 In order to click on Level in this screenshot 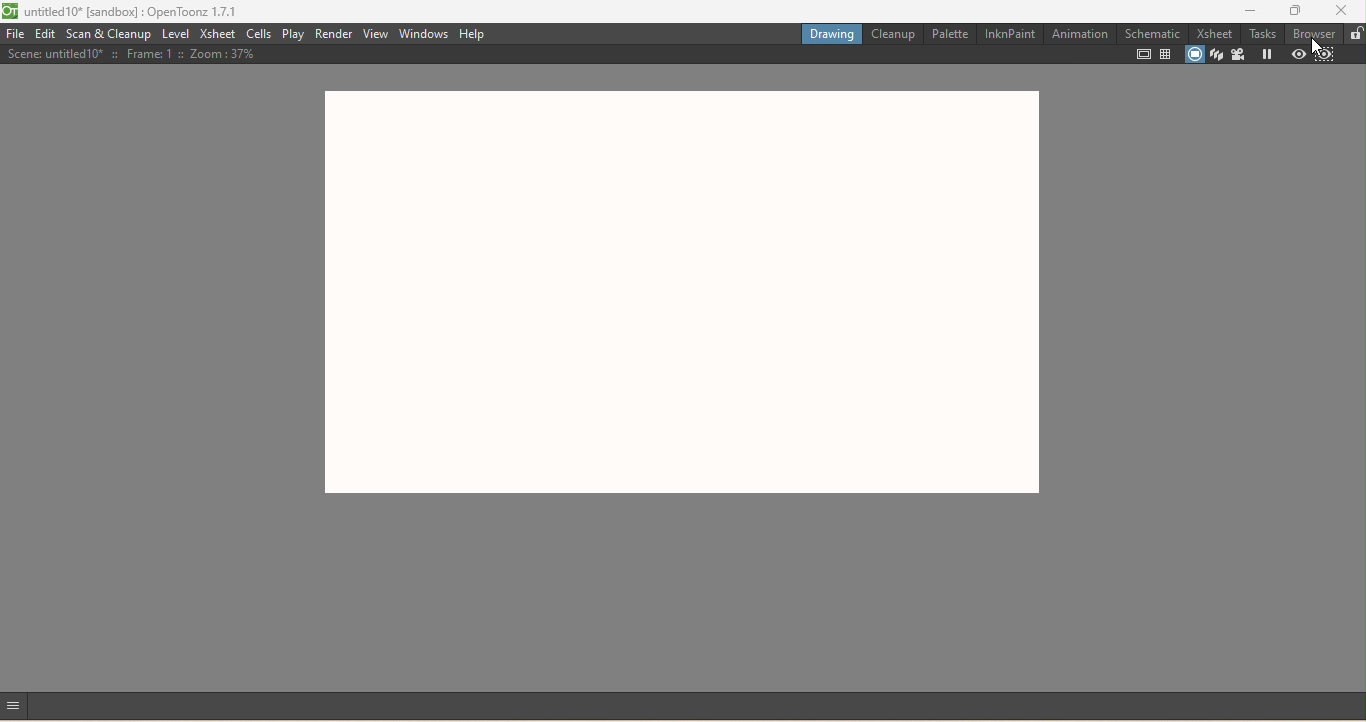, I will do `click(177, 35)`.